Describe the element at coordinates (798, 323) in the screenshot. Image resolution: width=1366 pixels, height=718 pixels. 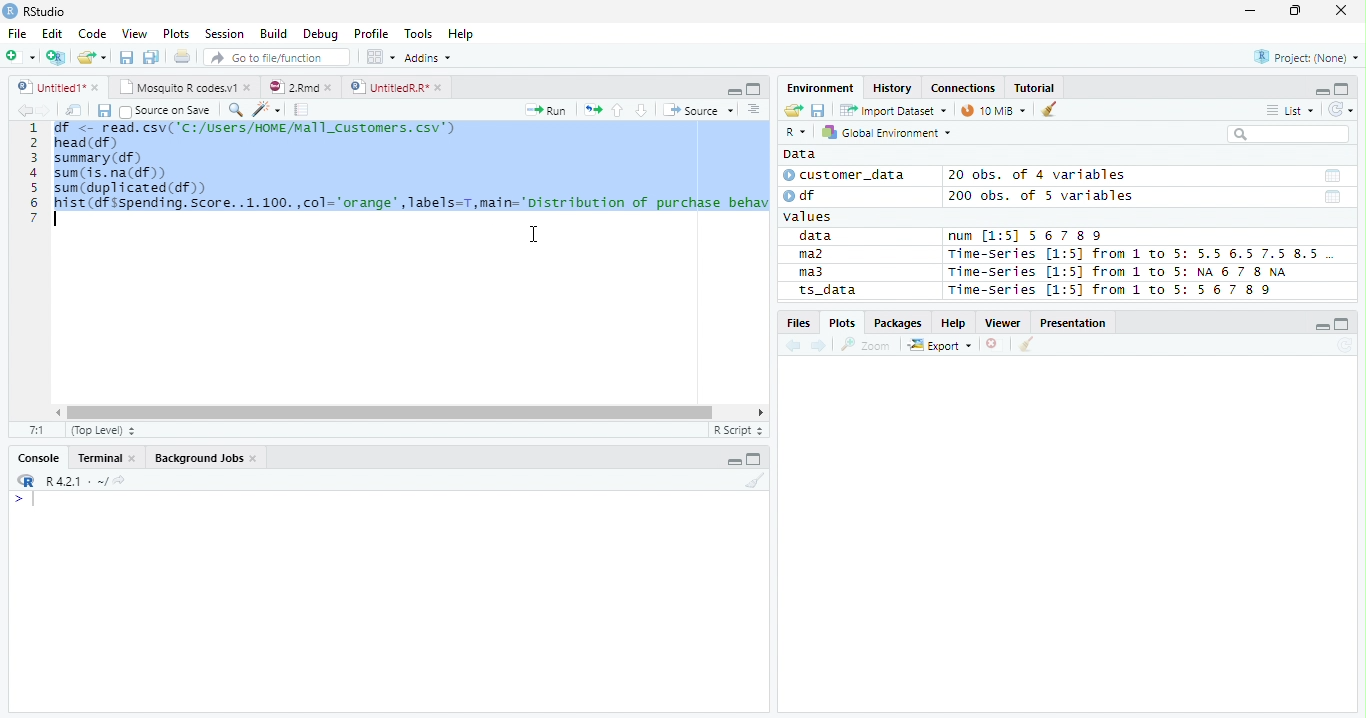
I see `Files` at that location.